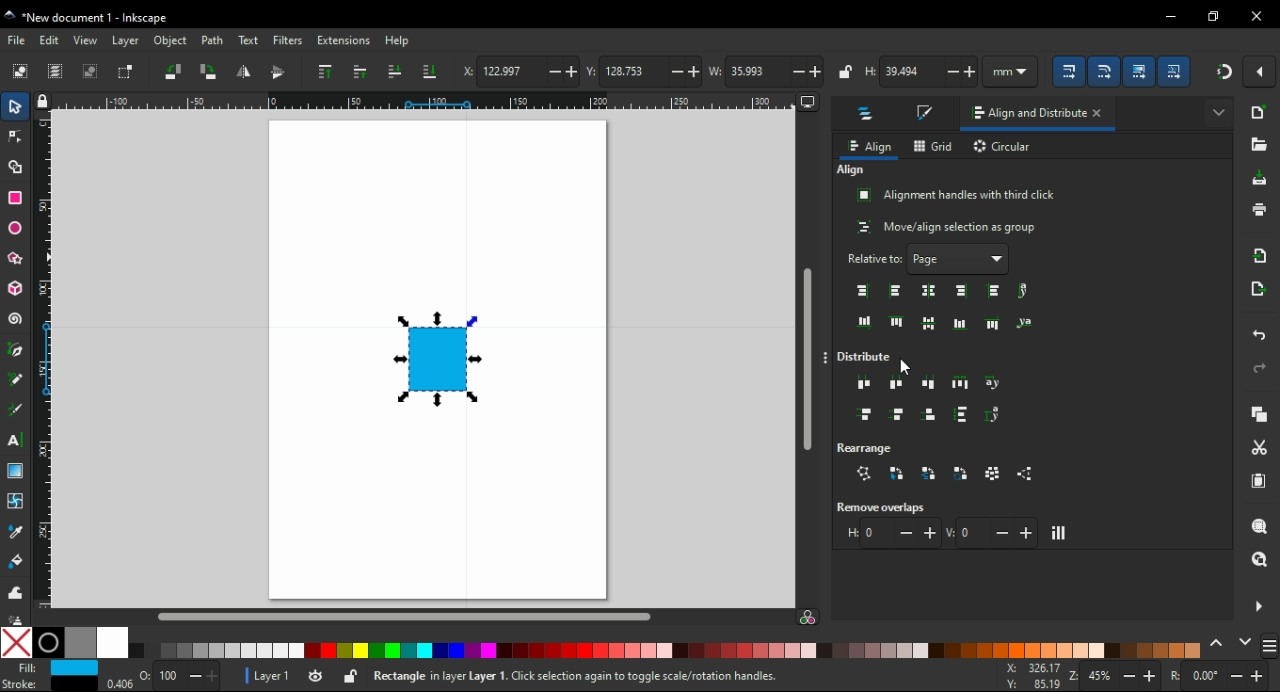 This screenshot has width=1280, height=692. What do you see at coordinates (1261, 178) in the screenshot?
I see `save` at bounding box center [1261, 178].